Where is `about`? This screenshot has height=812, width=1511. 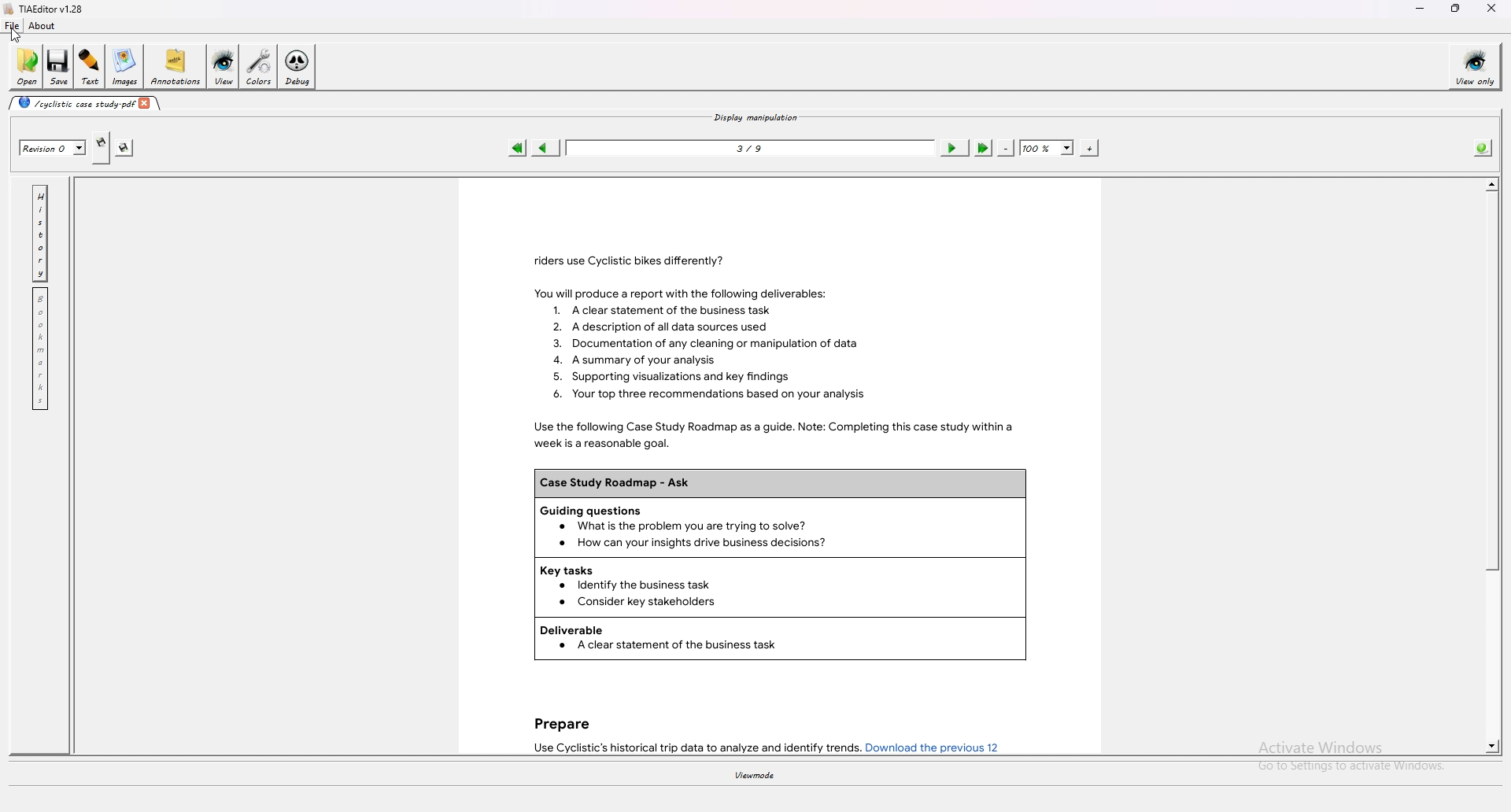
about is located at coordinates (41, 25).